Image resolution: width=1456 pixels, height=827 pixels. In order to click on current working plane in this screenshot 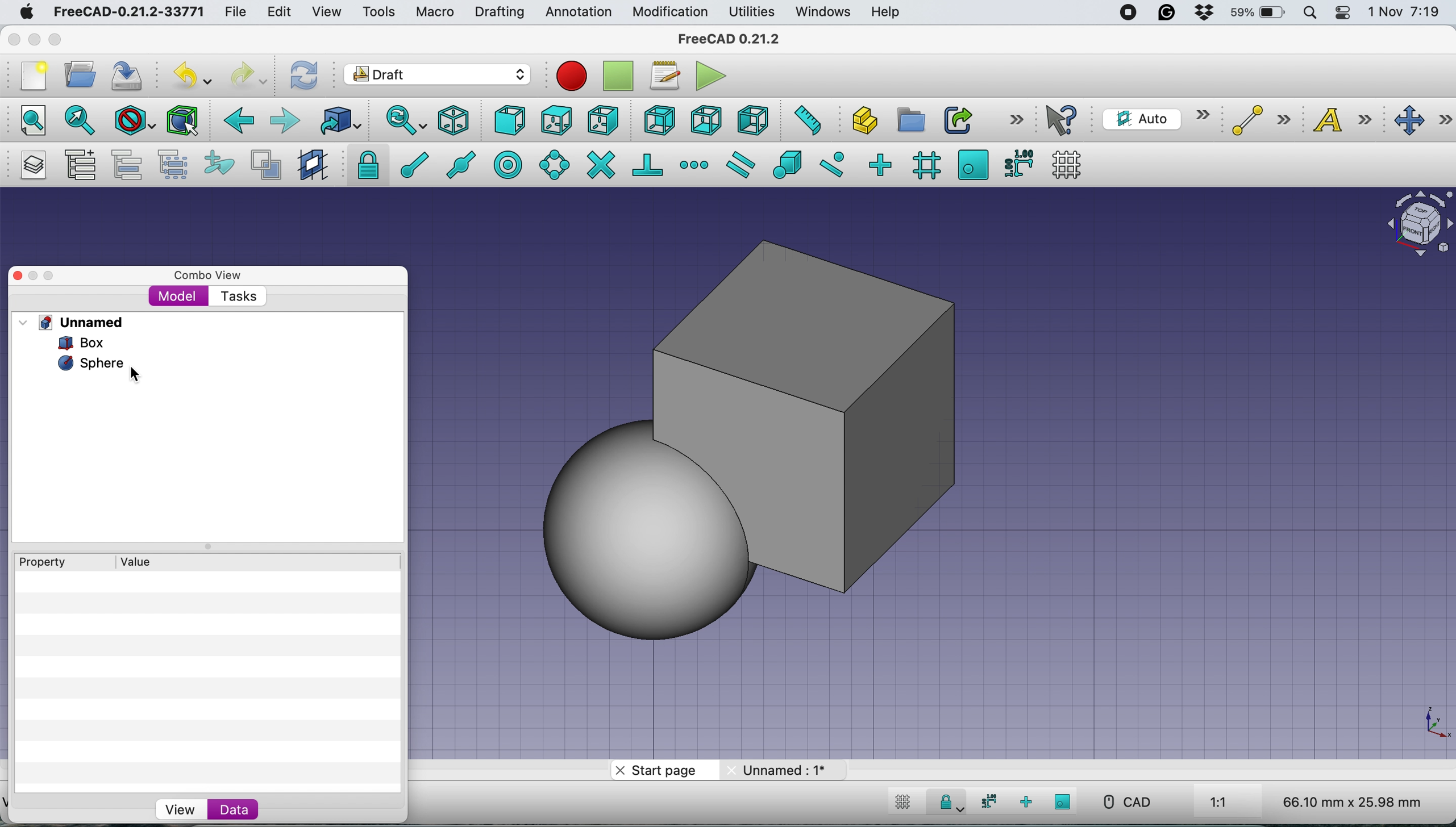, I will do `click(1153, 118)`.